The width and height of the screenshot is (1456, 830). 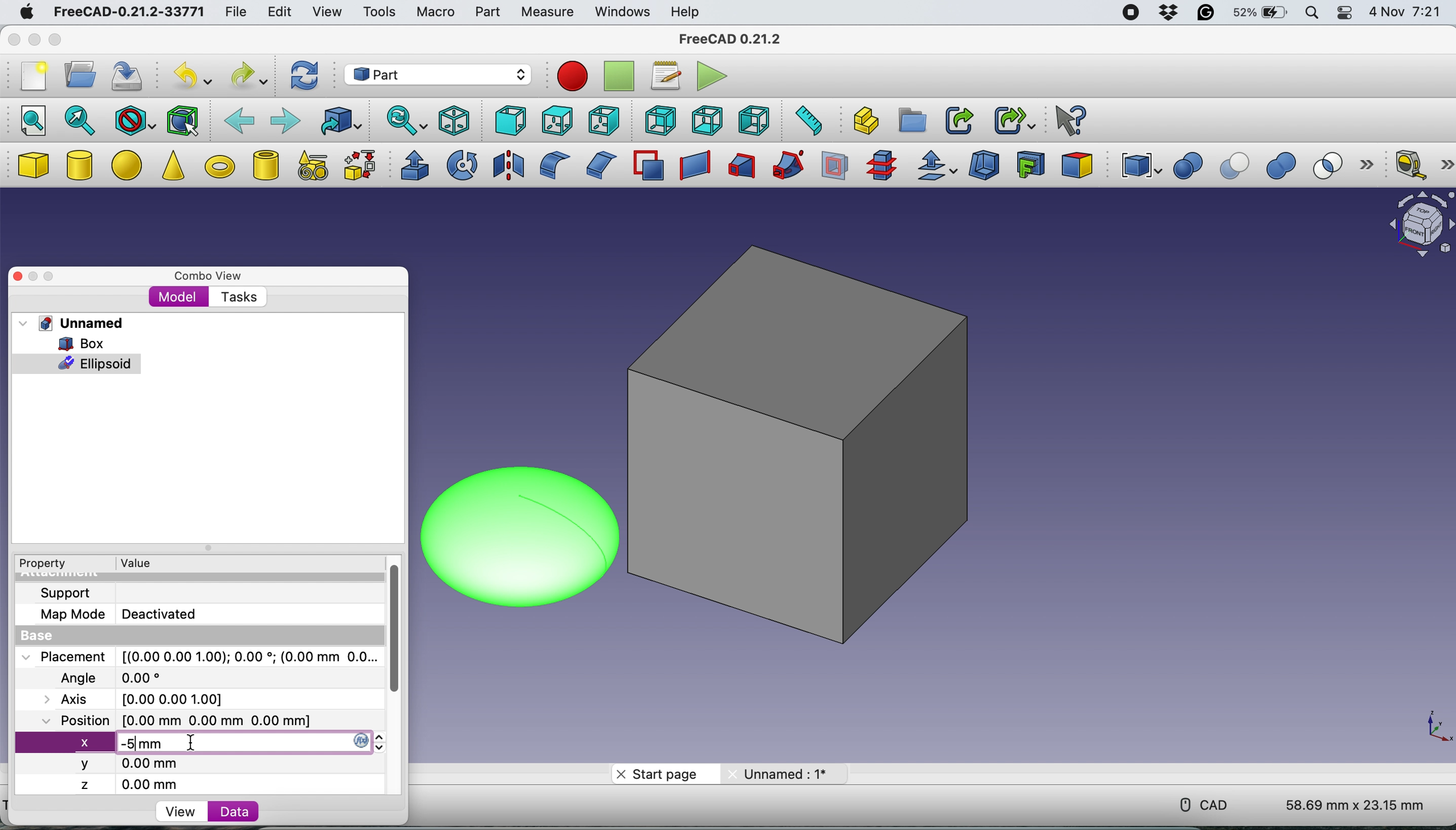 What do you see at coordinates (1407, 14) in the screenshot?
I see `4 Nov 7:21` at bounding box center [1407, 14].